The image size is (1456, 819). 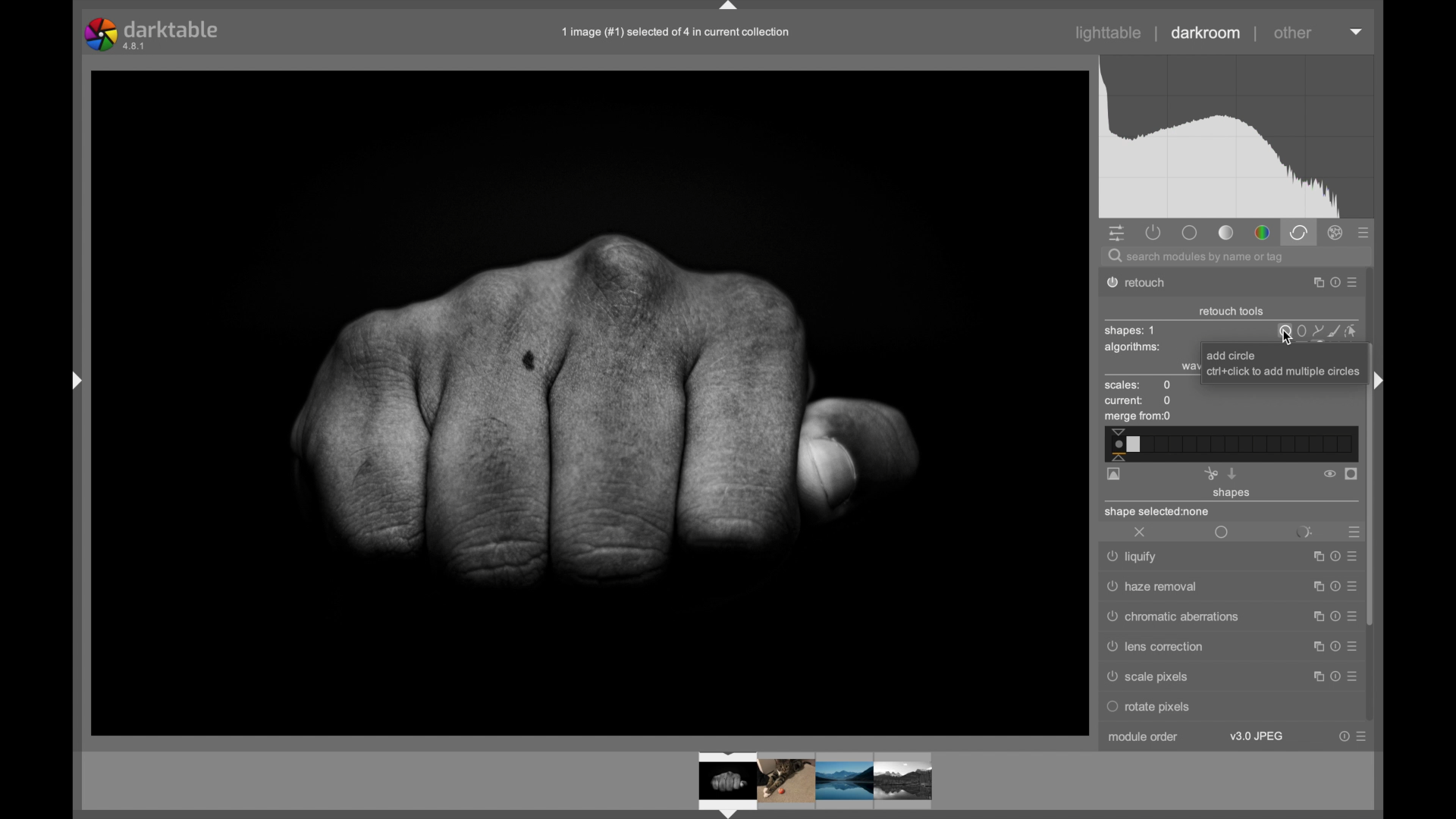 I want to click on shape selected:none, so click(x=1159, y=513).